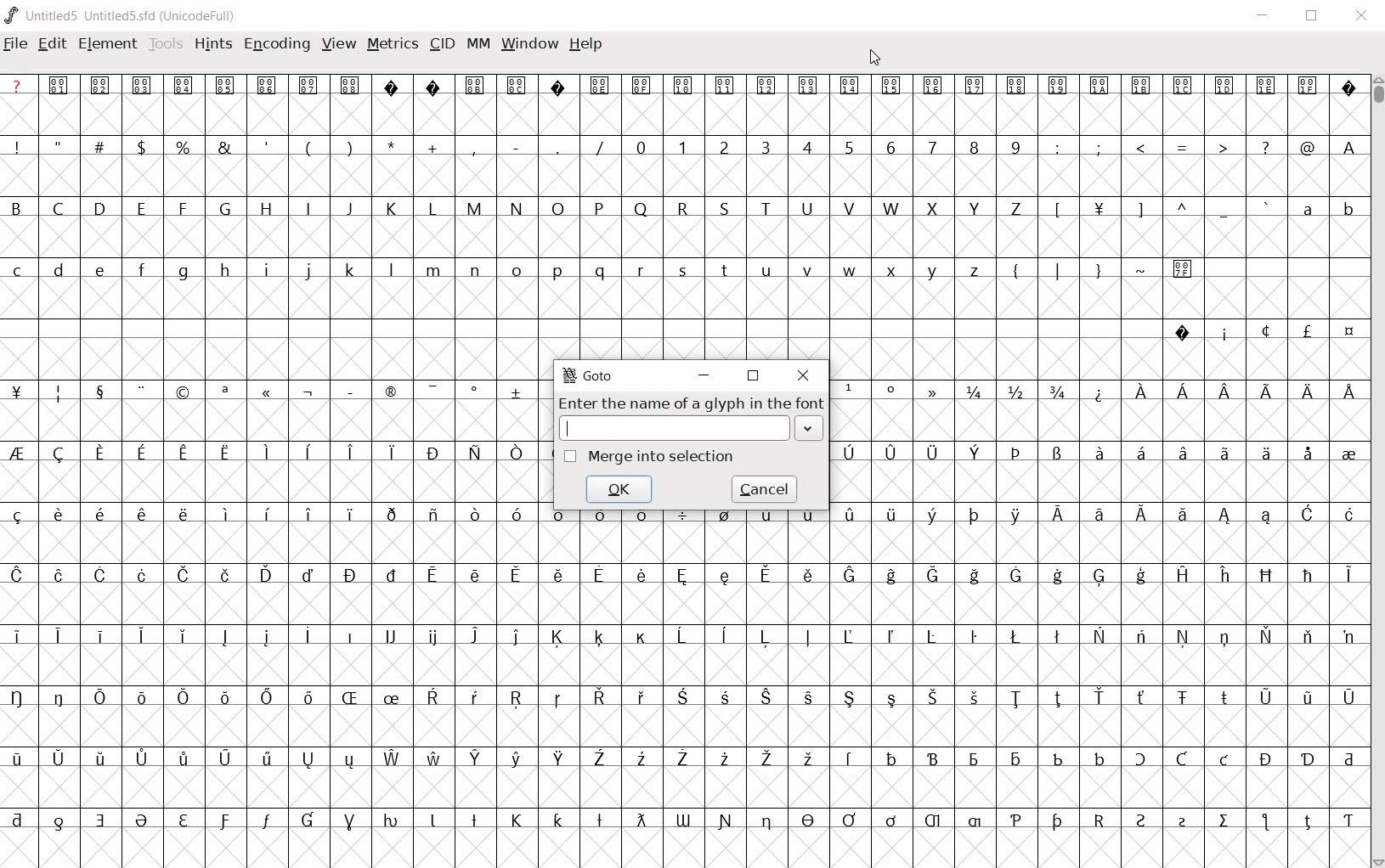 The width and height of the screenshot is (1385, 868). What do you see at coordinates (1226, 637) in the screenshot?
I see `Symbol` at bounding box center [1226, 637].